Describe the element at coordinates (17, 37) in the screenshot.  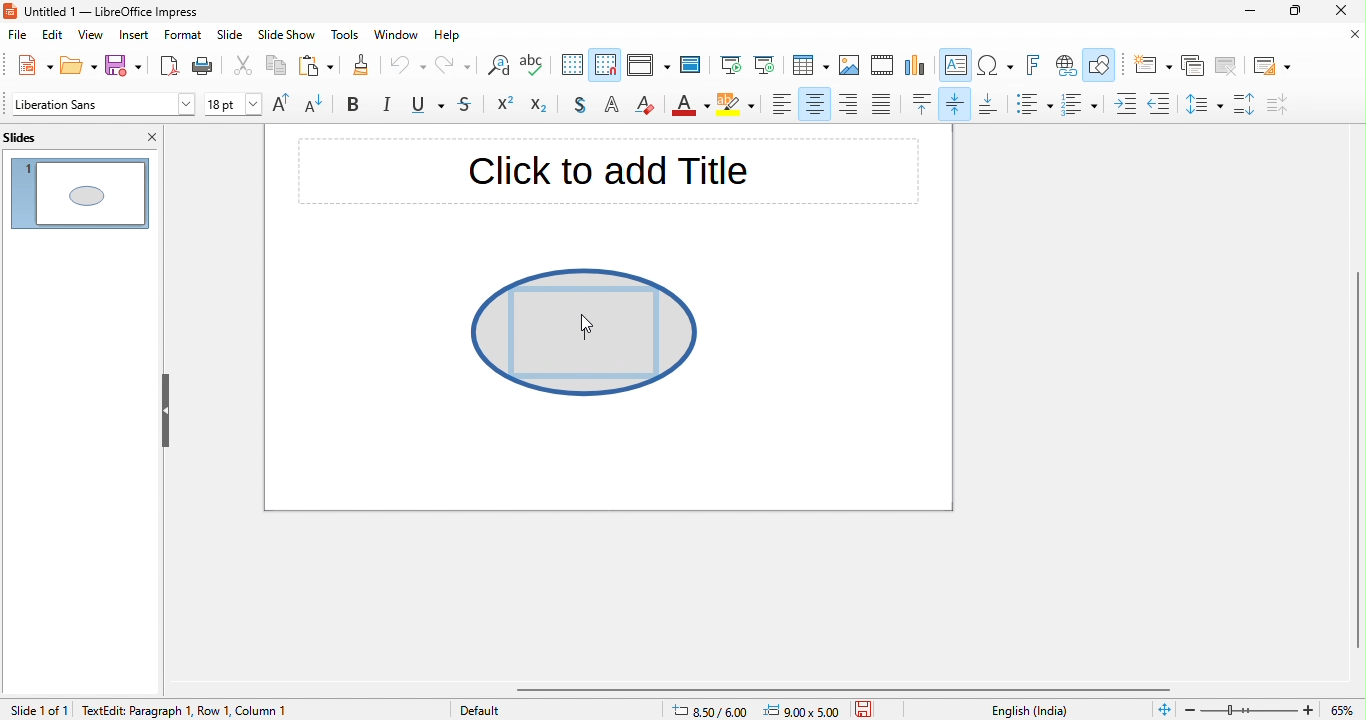
I see `file` at that location.